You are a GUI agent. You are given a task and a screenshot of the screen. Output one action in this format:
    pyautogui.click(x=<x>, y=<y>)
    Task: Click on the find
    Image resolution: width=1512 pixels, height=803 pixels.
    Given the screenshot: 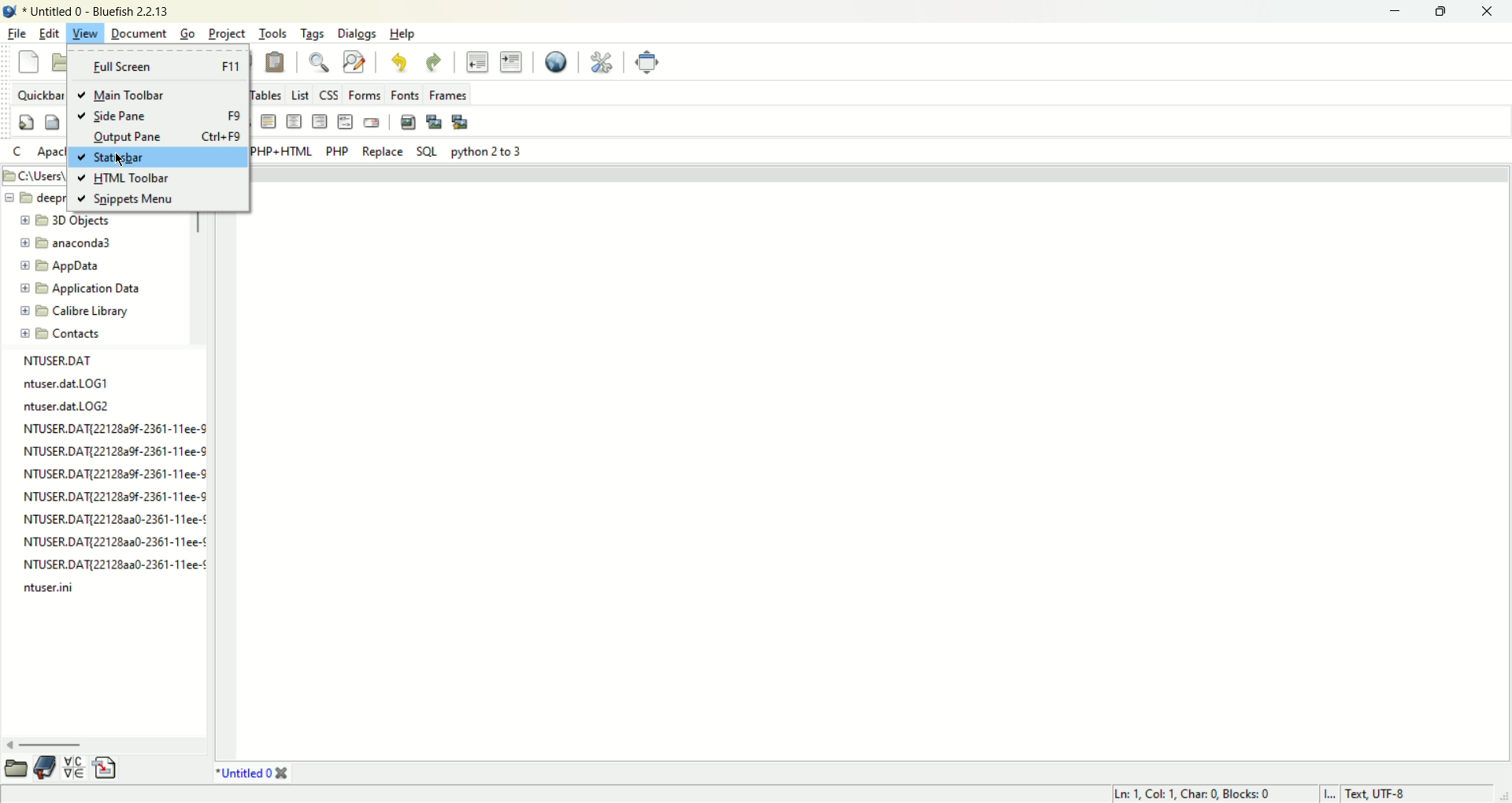 What is the action you would take?
    pyautogui.click(x=322, y=62)
    